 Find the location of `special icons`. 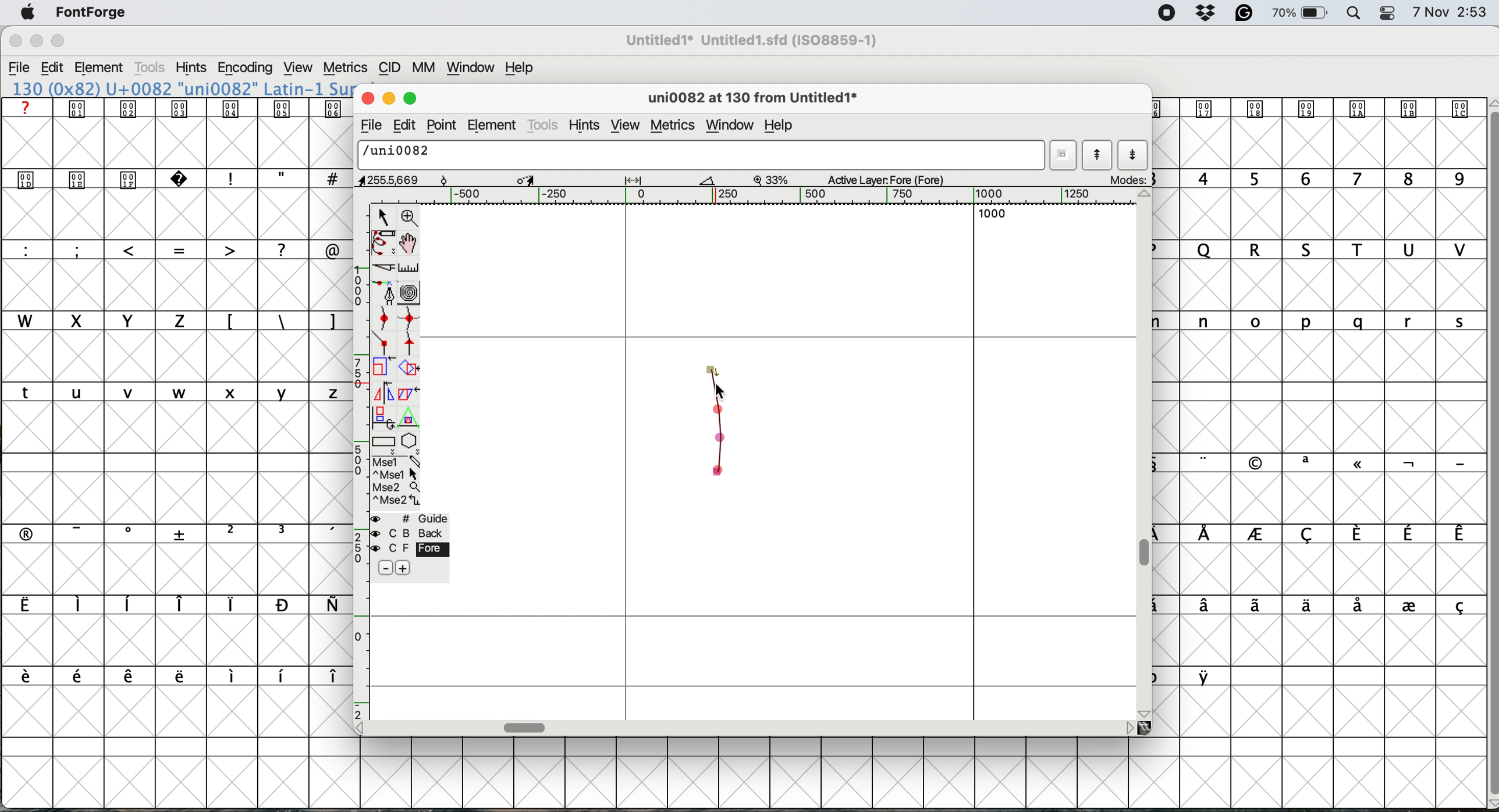

special icons is located at coordinates (106, 177).